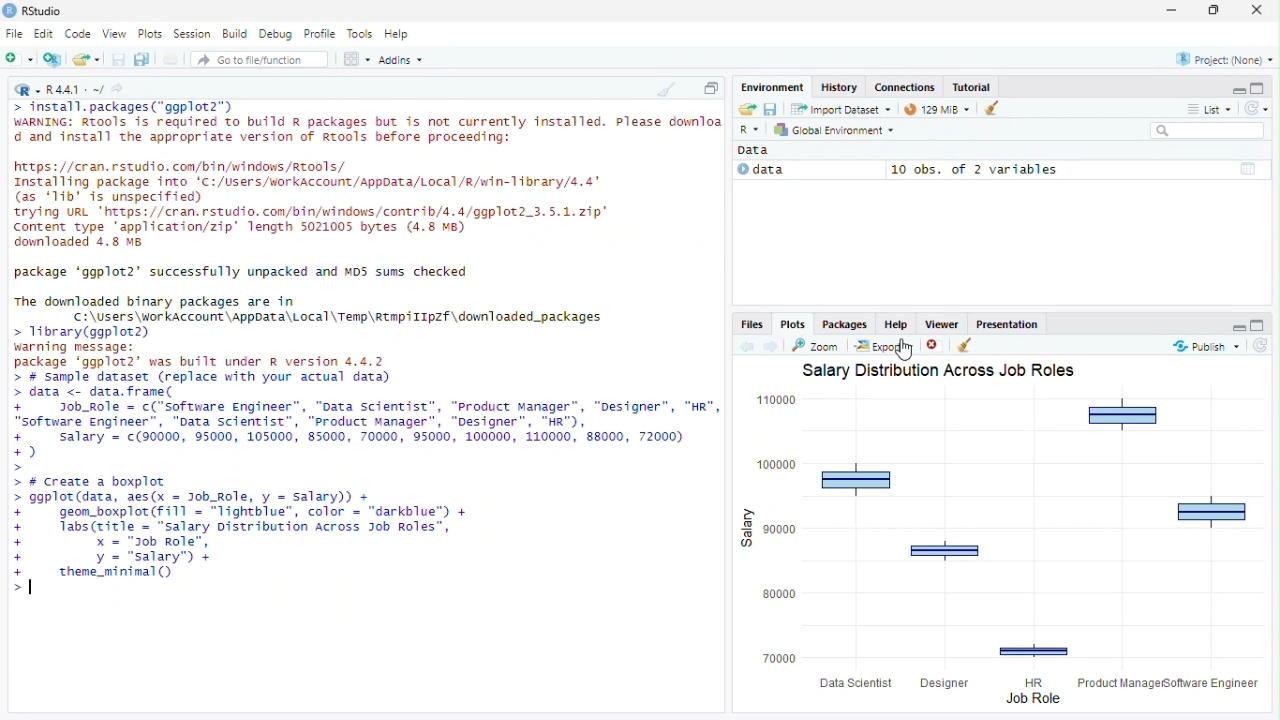 The width and height of the screenshot is (1280, 720). Describe the element at coordinates (896, 323) in the screenshot. I see `Help` at that location.